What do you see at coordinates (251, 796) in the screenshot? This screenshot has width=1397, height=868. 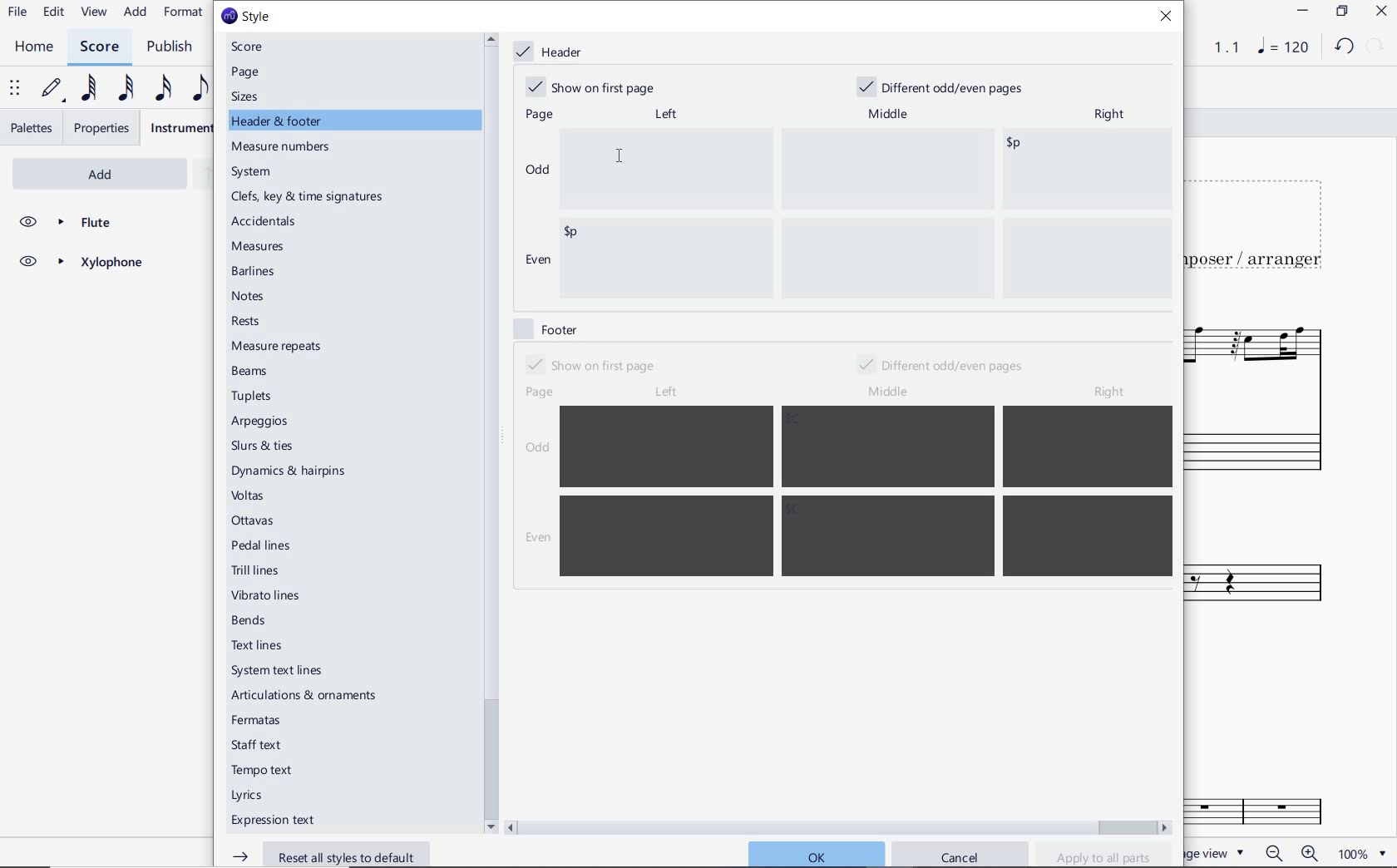 I see `Lyrics` at bounding box center [251, 796].